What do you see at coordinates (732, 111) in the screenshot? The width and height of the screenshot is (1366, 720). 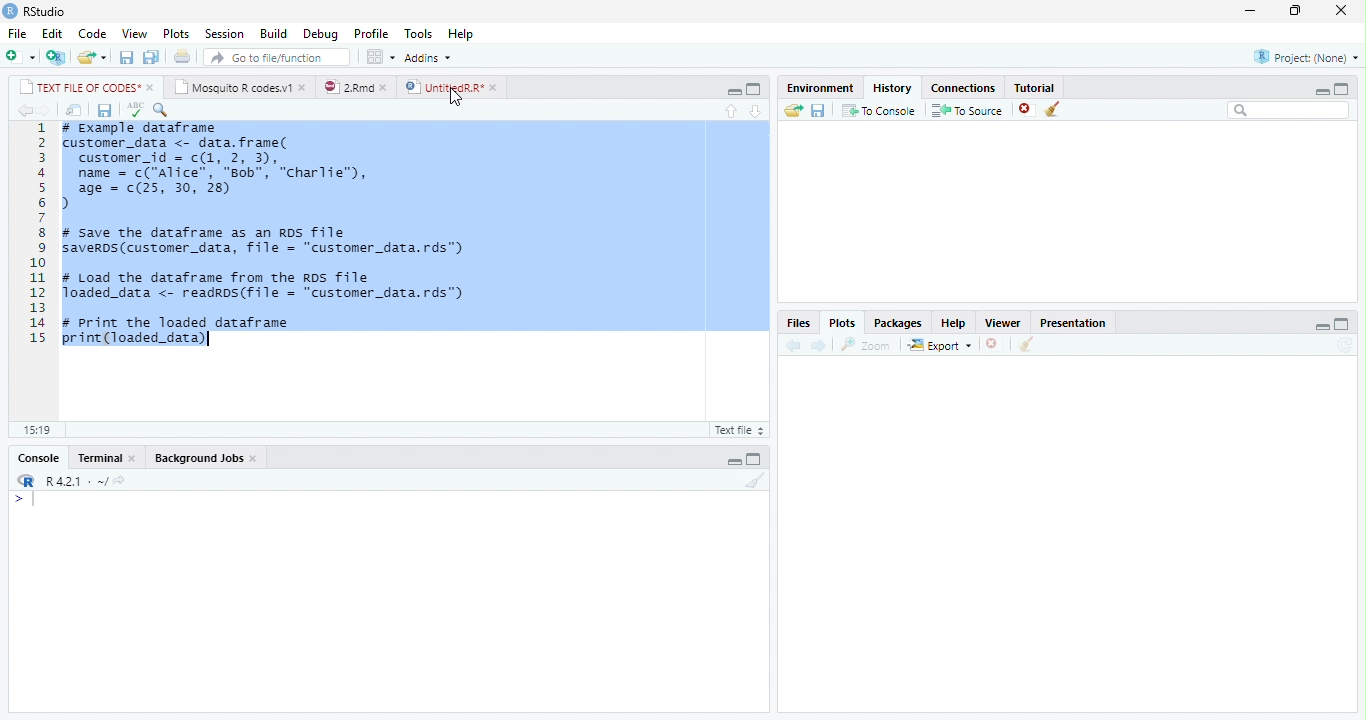 I see `up` at bounding box center [732, 111].